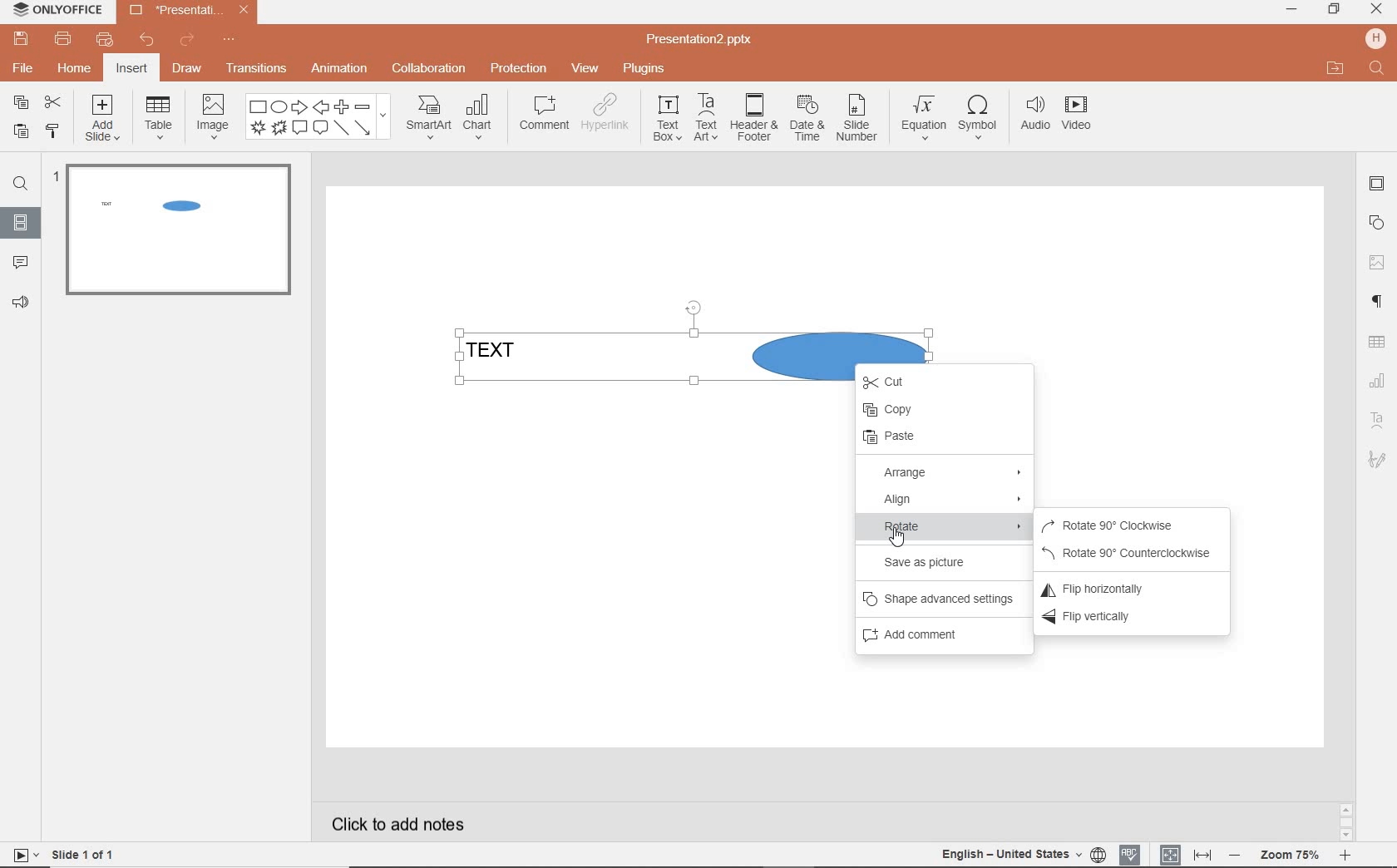 Image resolution: width=1397 pixels, height=868 pixels. What do you see at coordinates (1379, 70) in the screenshot?
I see `FIND` at bounding box center [1379, 70].